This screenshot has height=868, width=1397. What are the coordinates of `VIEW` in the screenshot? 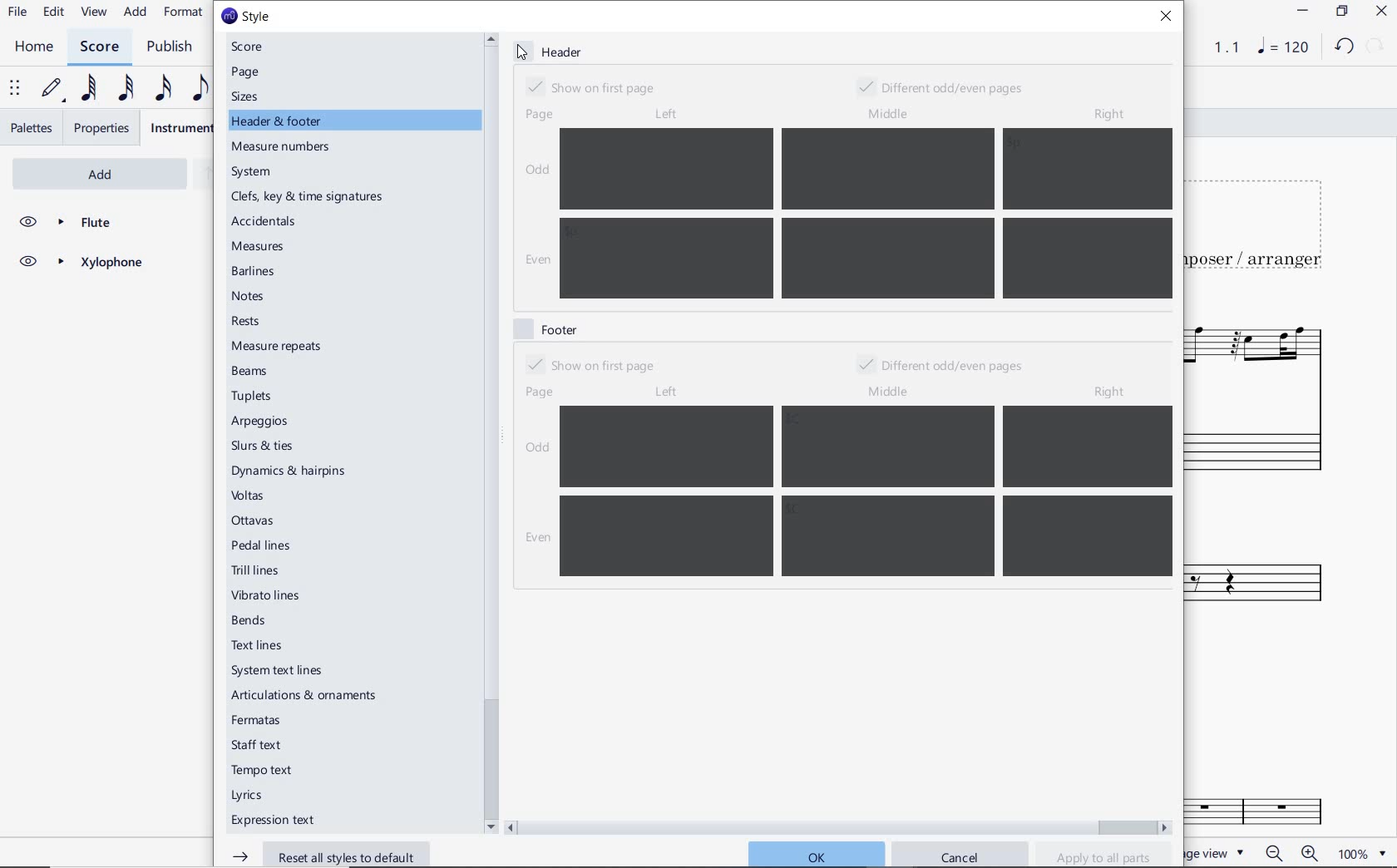 It's located at (95, 12).